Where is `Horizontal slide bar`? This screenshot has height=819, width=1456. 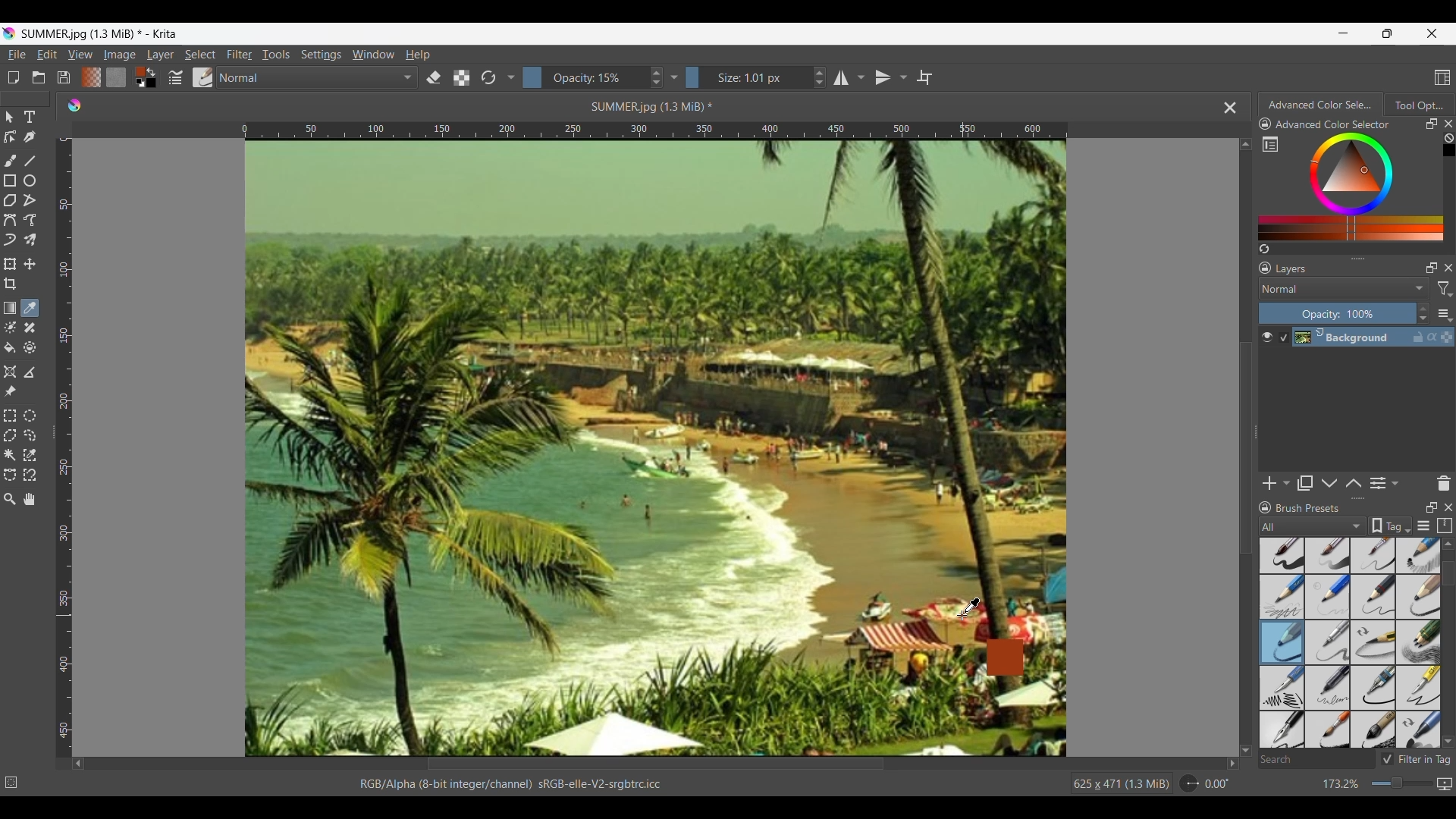
Horizontal slide bar is located at coordinates (655, 764).